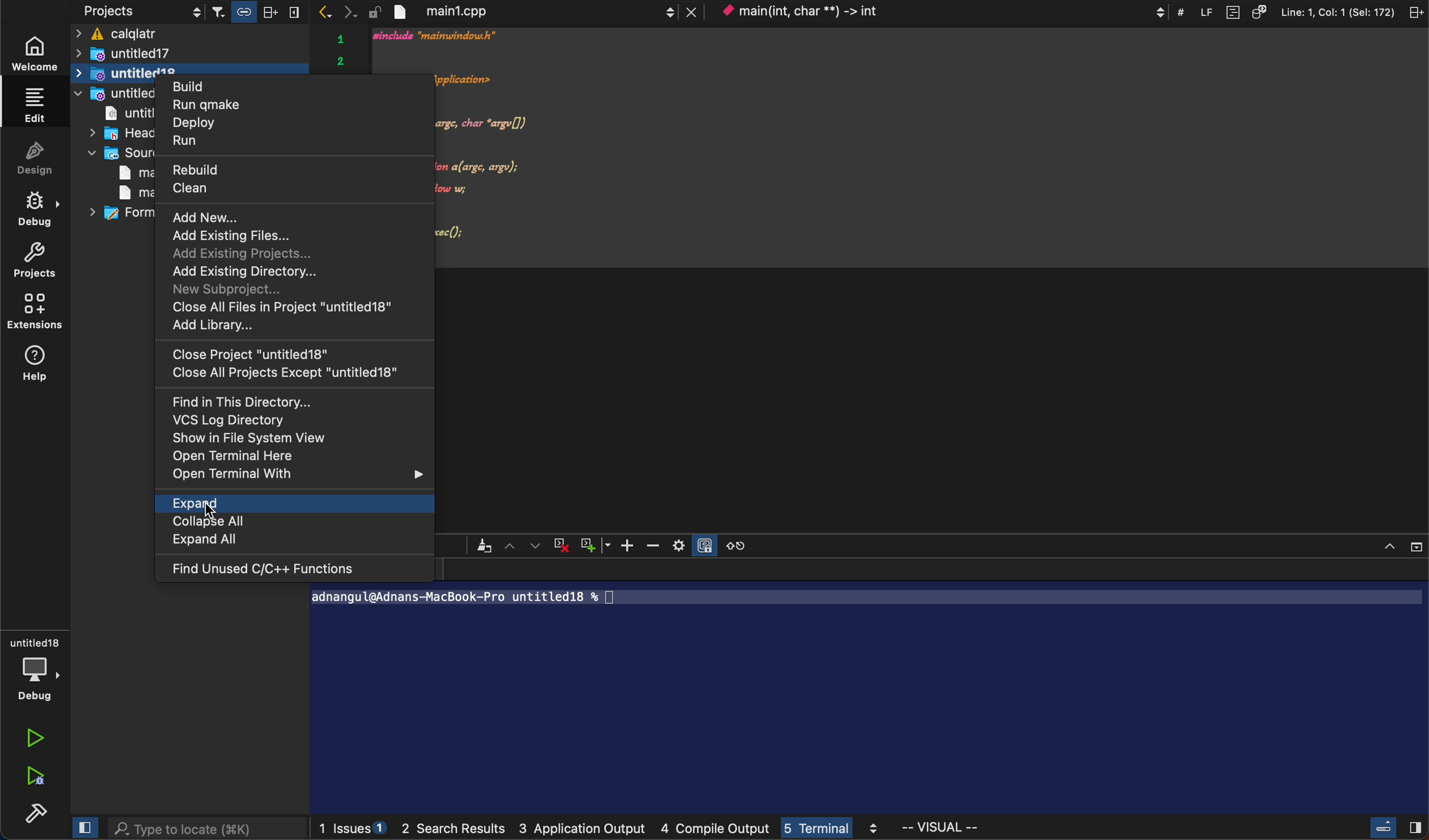 The height and width of the screenshot is (840, 1429). Describe the element at coordinates (337, 48) in the screenshot. I see `serial number` at that location.